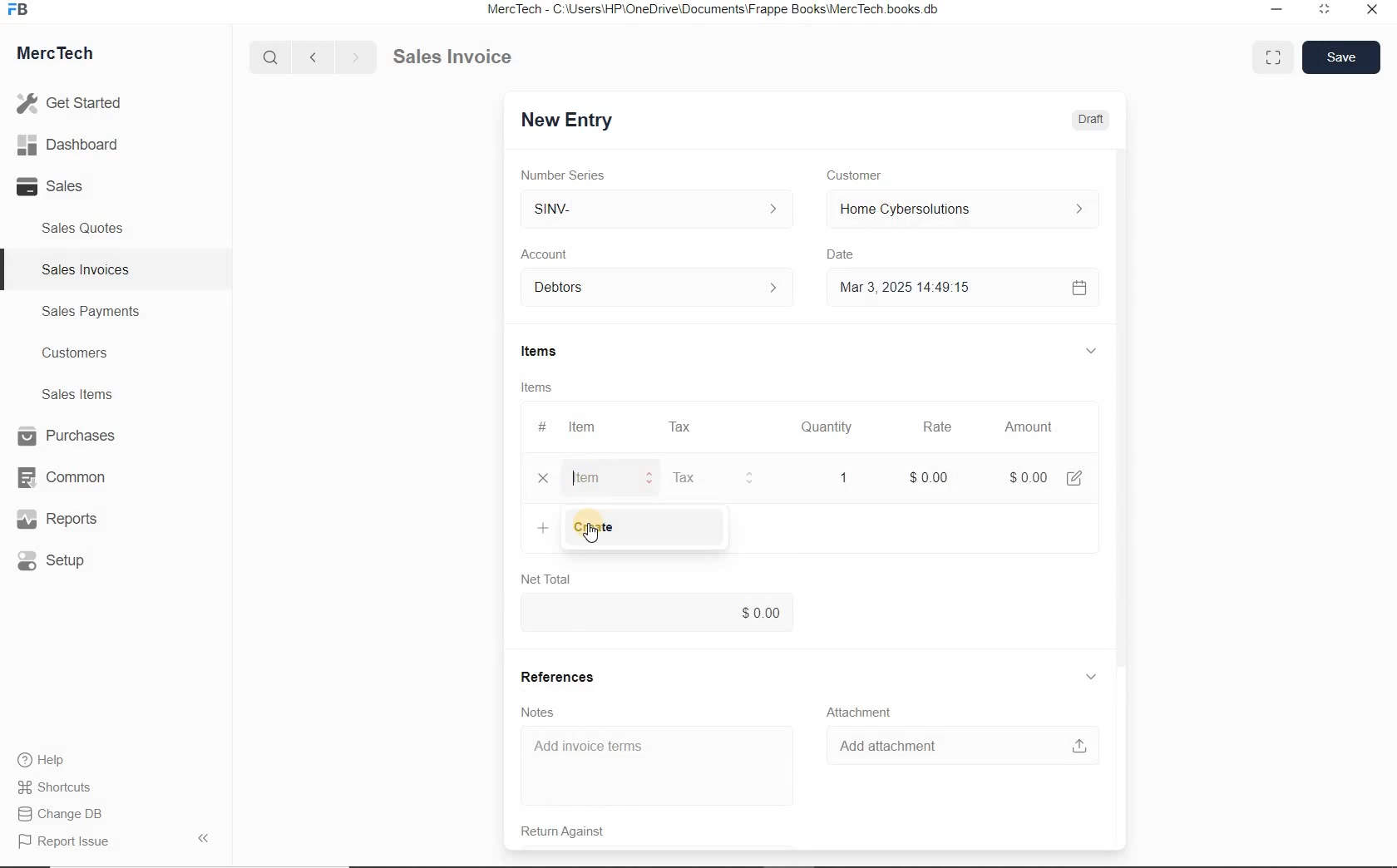  I want to click on hide sub menu, so click(1089, 350).